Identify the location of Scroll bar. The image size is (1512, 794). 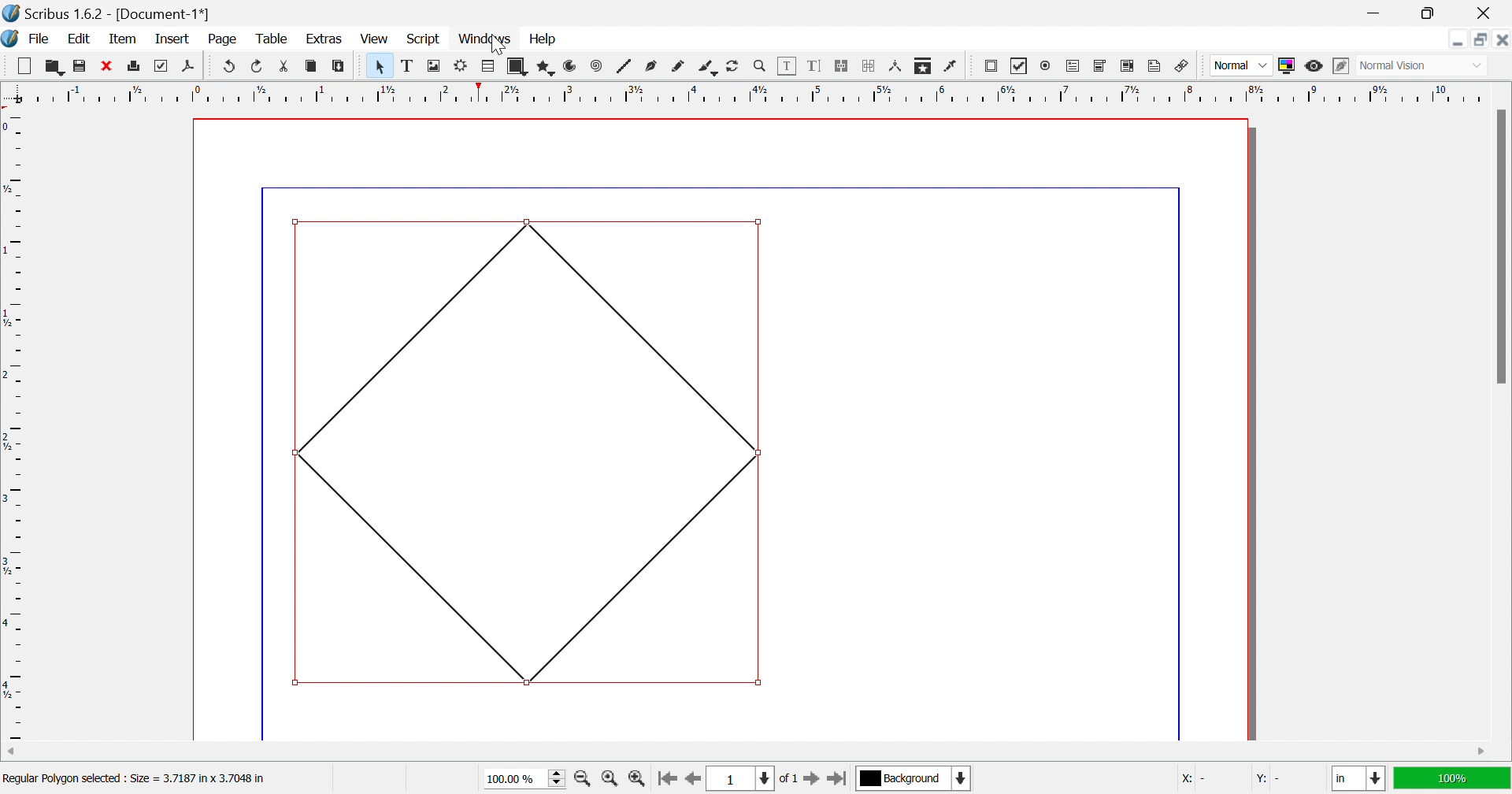
(1500, 246).